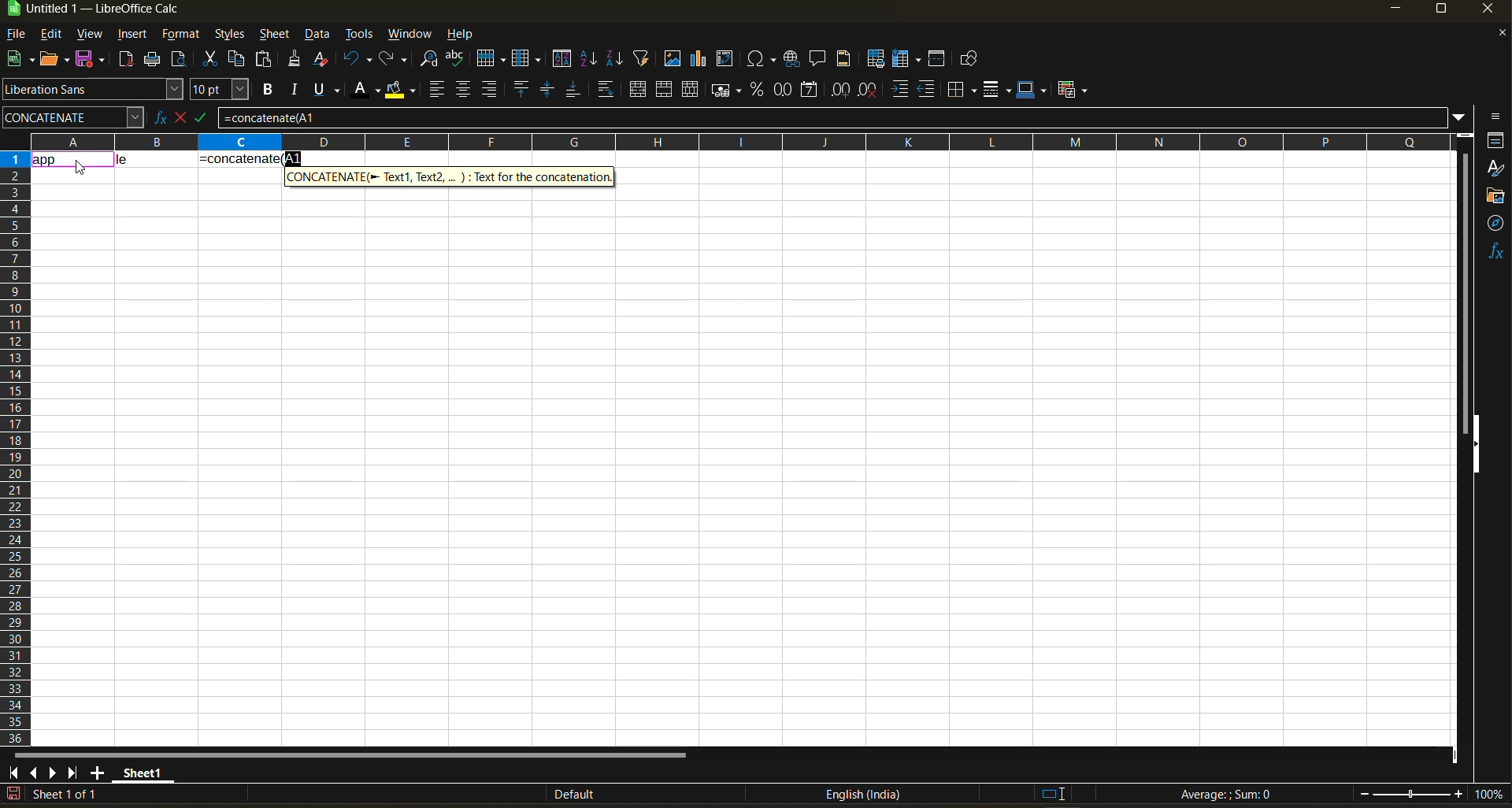  What do you see at coordinates (228, 35) in the screenshot?
I see `styles` at bounding box center [228, 35].